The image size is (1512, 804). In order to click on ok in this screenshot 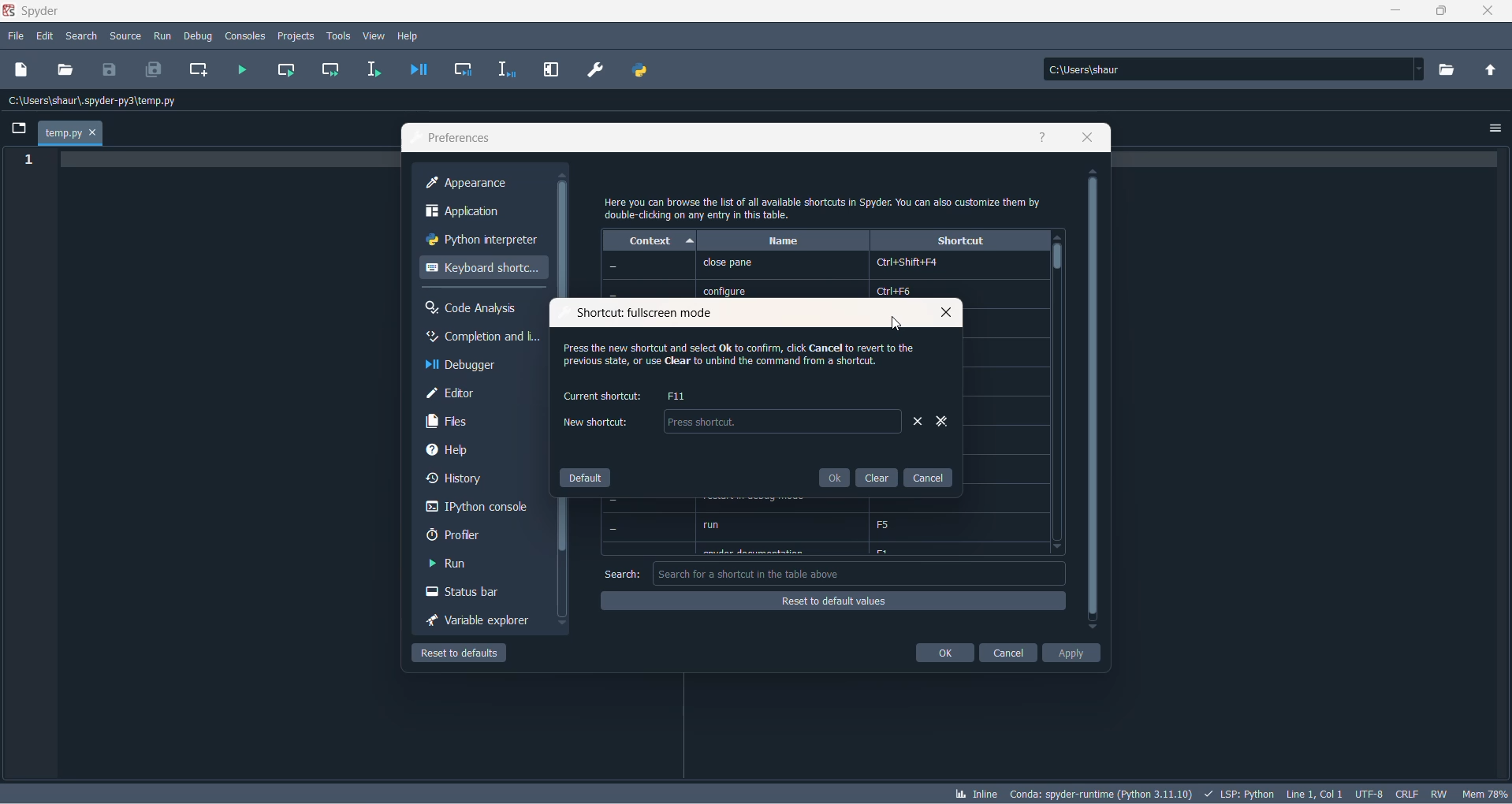, I will do `click(832, 478)`.